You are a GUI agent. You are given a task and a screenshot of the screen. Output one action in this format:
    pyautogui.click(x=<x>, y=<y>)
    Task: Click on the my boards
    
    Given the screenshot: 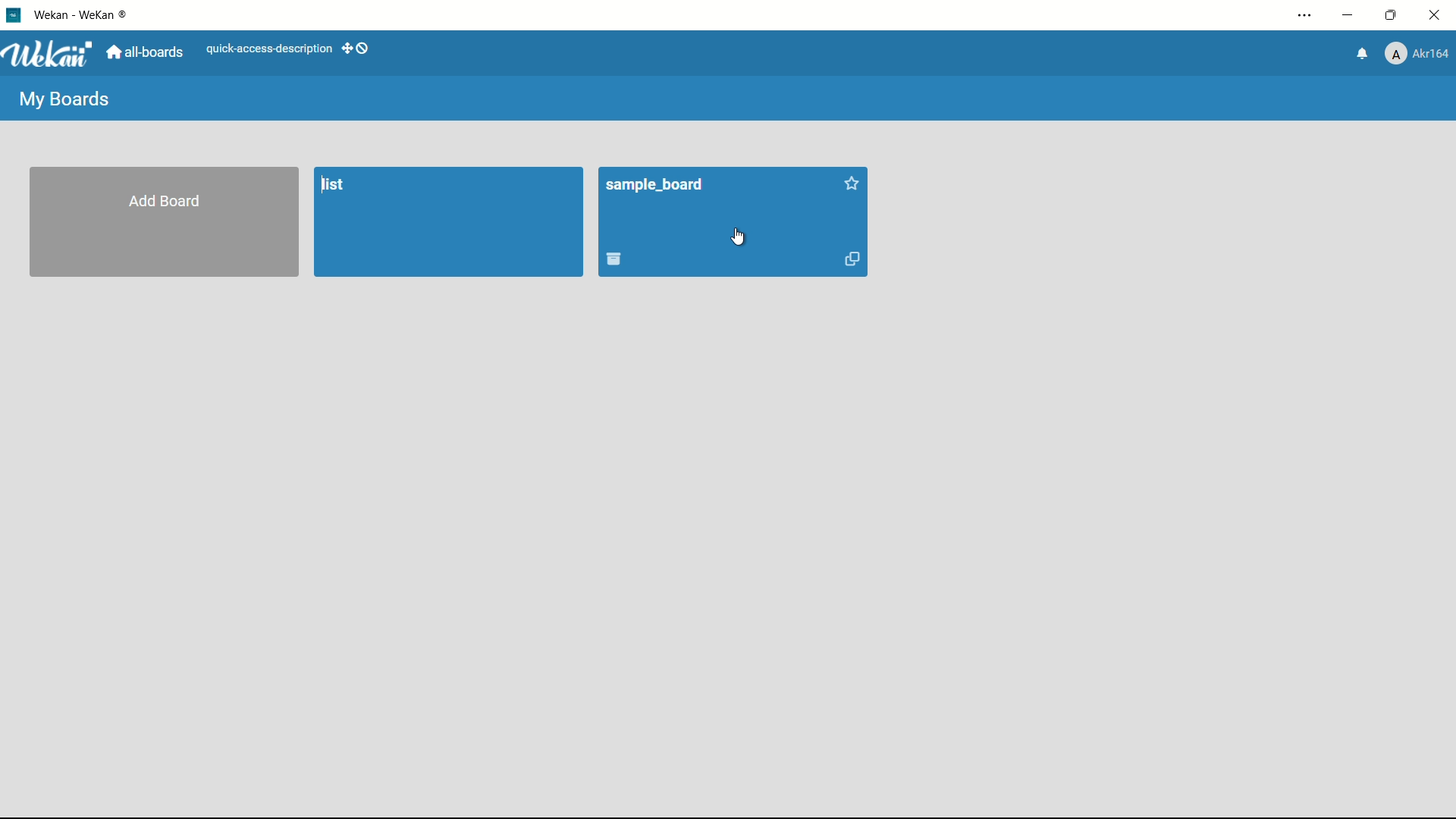 What is the action you would take?
    pyautogui.click(x=66, y=101)
    